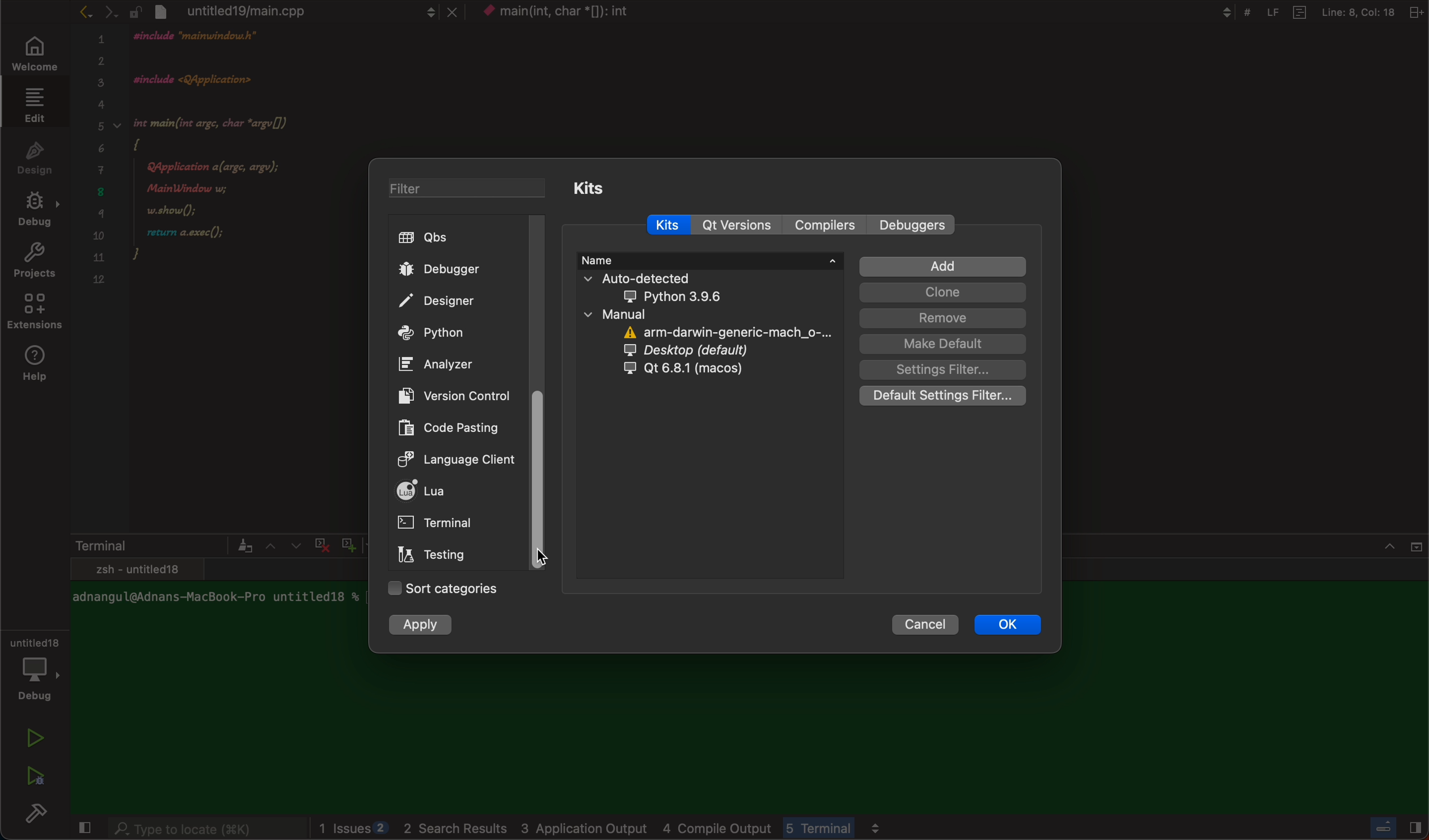  What do you see at coordinates (319, 543) in the screenshot?
I see `cross` at bounding box center [319, 543].